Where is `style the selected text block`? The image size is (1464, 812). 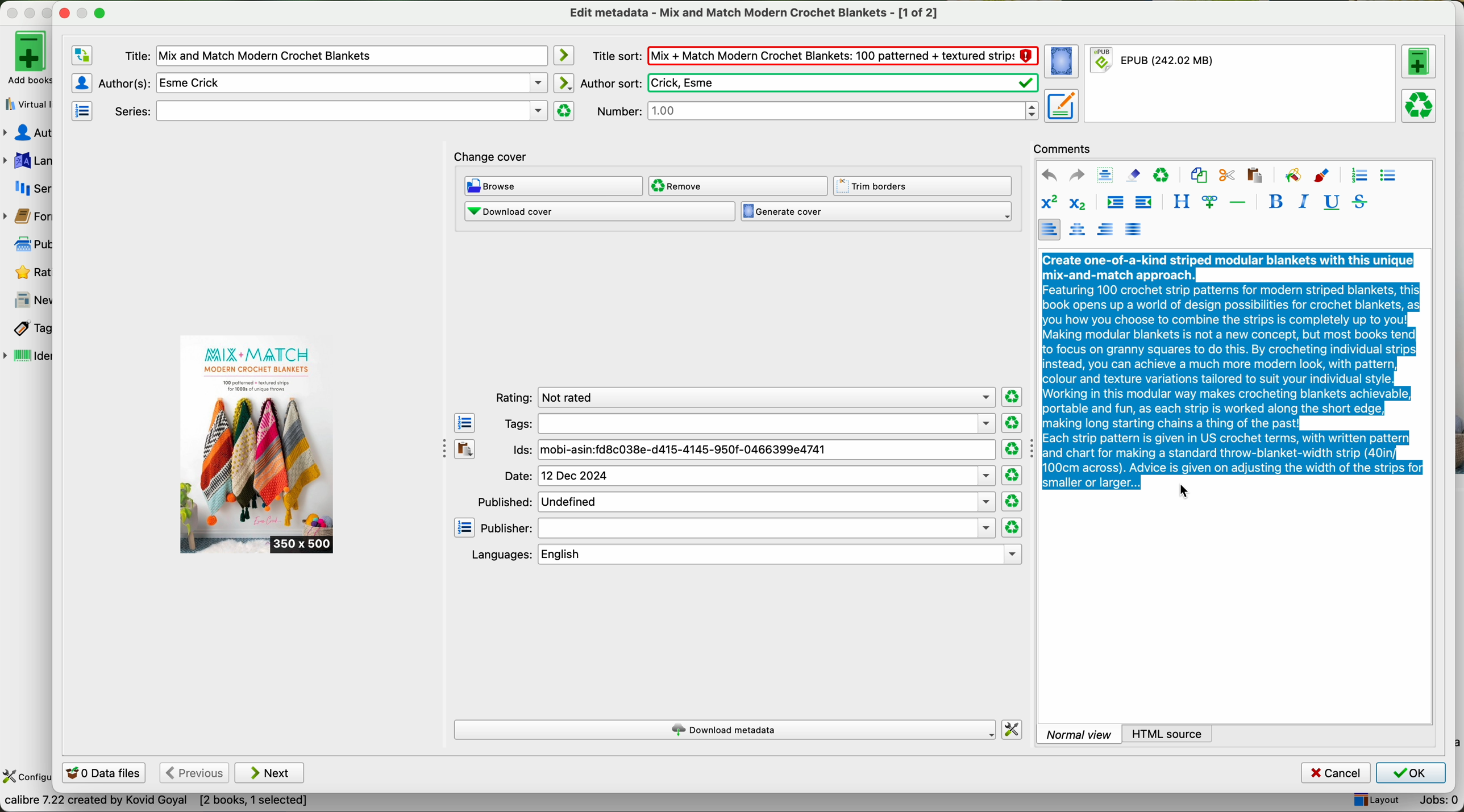 style the selected text block is located at coordinates (1180, 202).